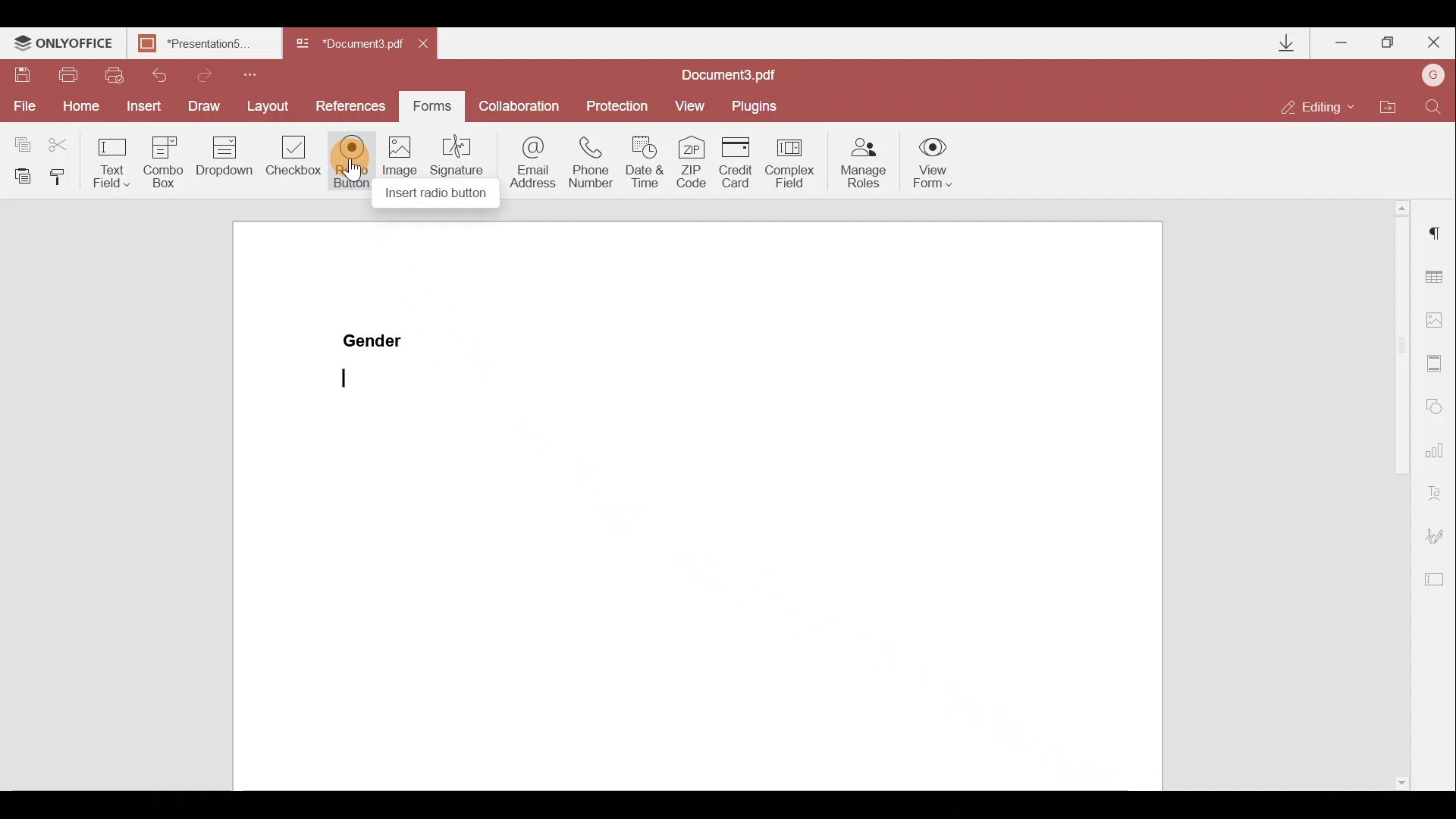  What do you see at coordinates (167, 74) in the screenshot?
I see `Undo` at bounding box center [167, 74].